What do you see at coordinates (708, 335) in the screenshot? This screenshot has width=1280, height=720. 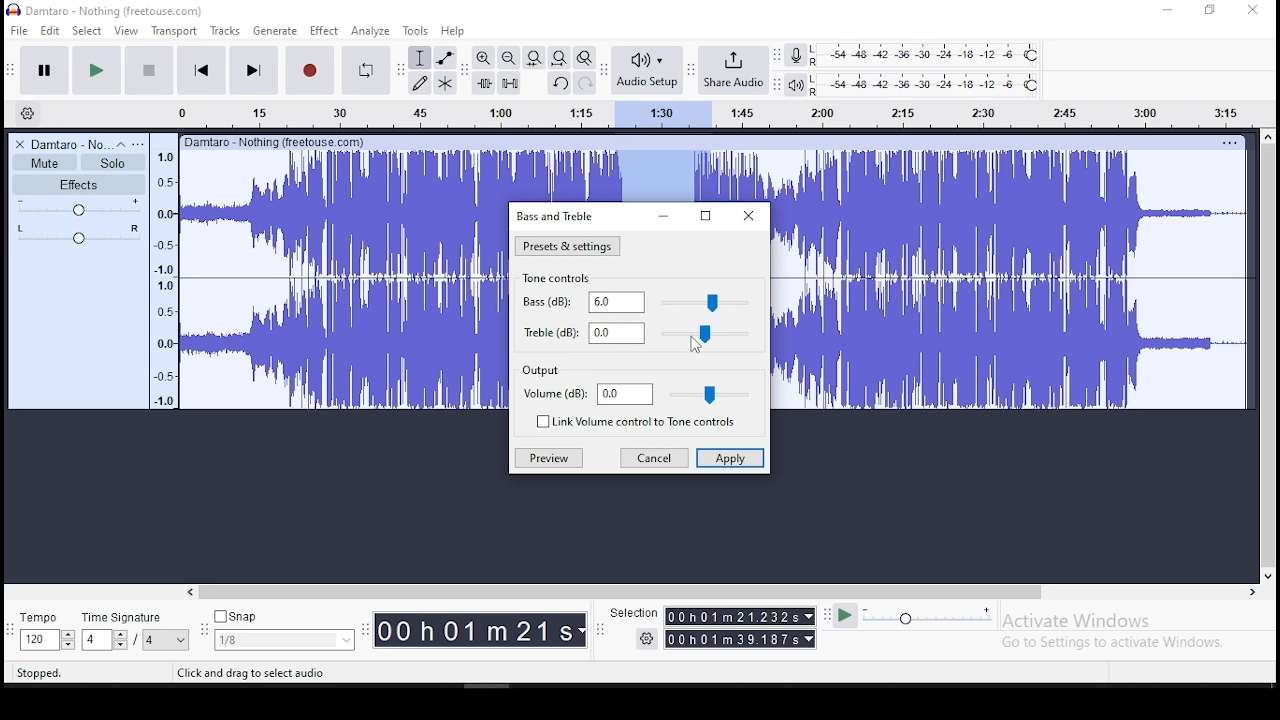 I see `control` at bounding box center [708, 335].